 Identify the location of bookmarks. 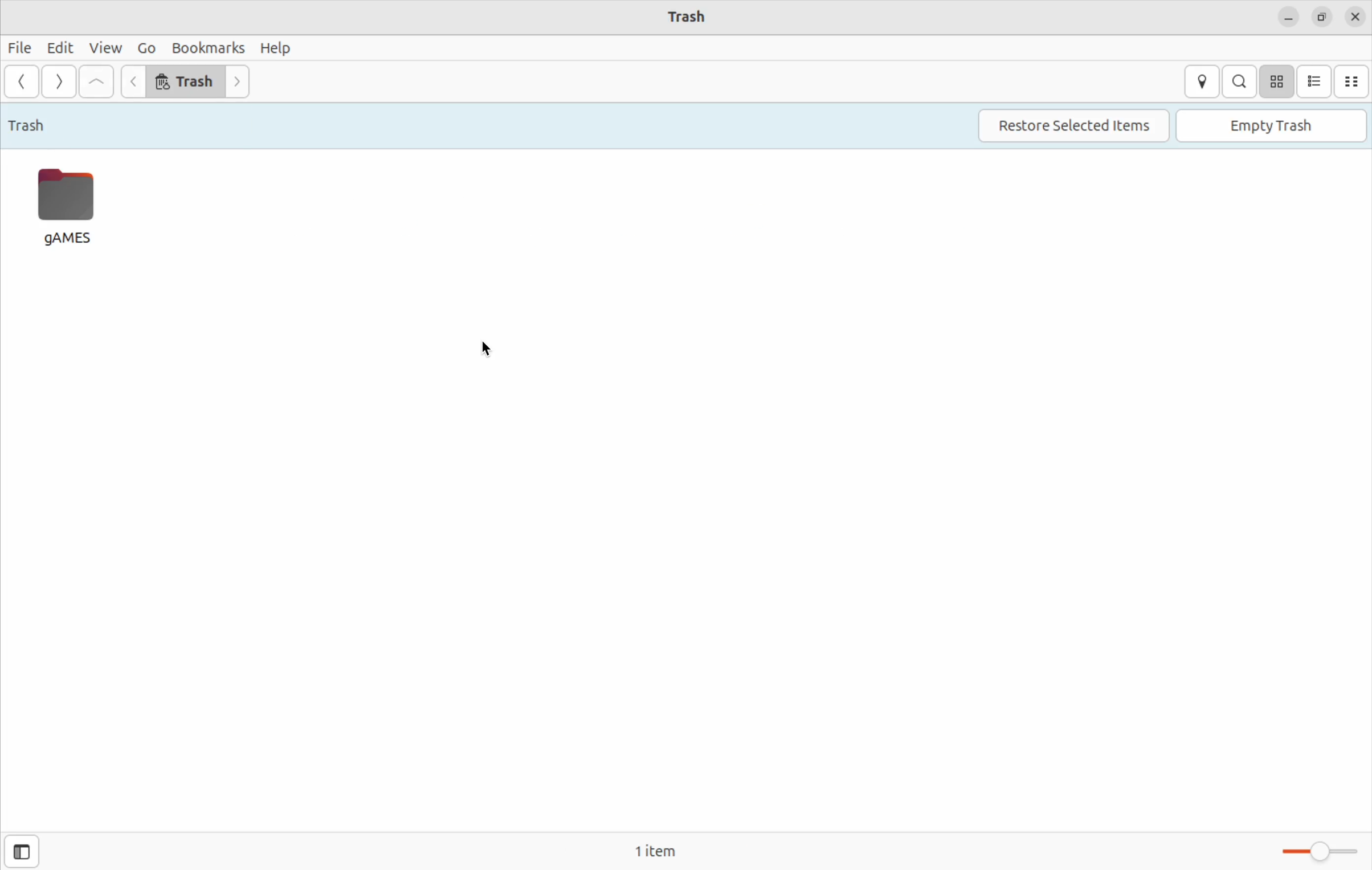
(207, 45).